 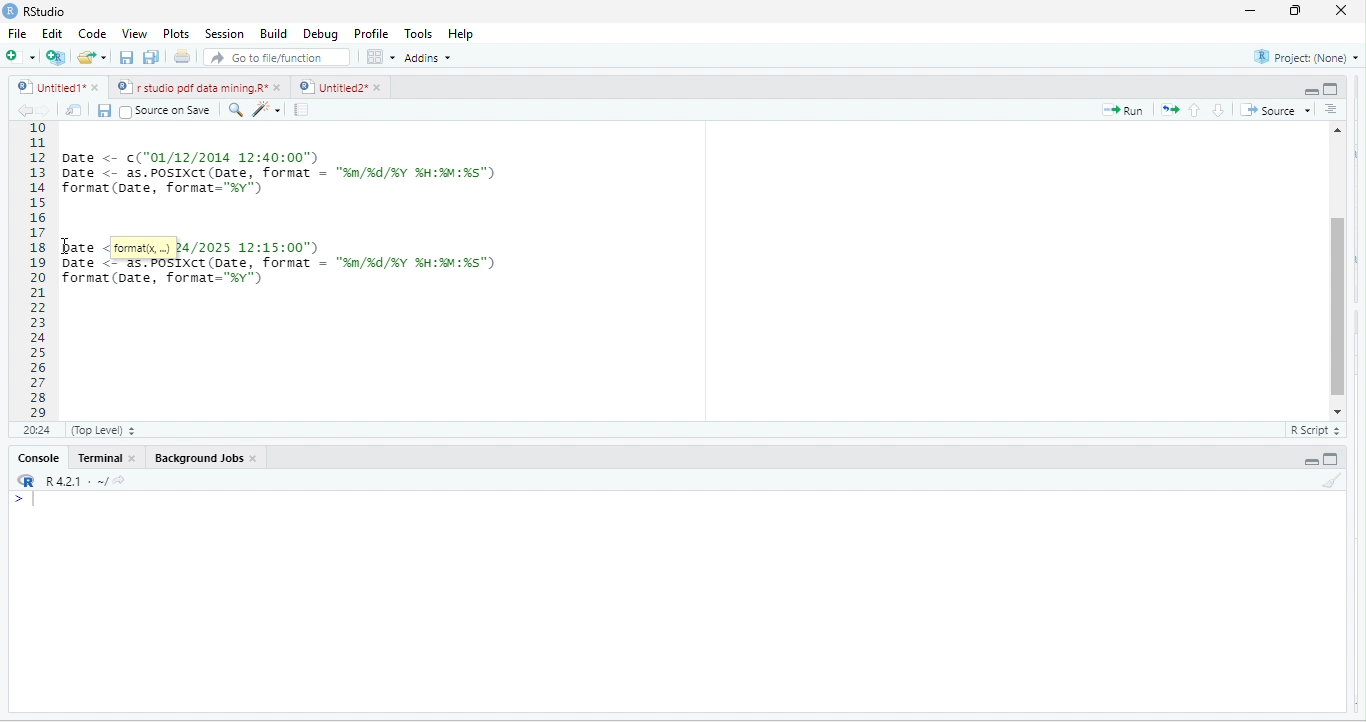 I want to click on minimize, so click(x=1251, y=12).